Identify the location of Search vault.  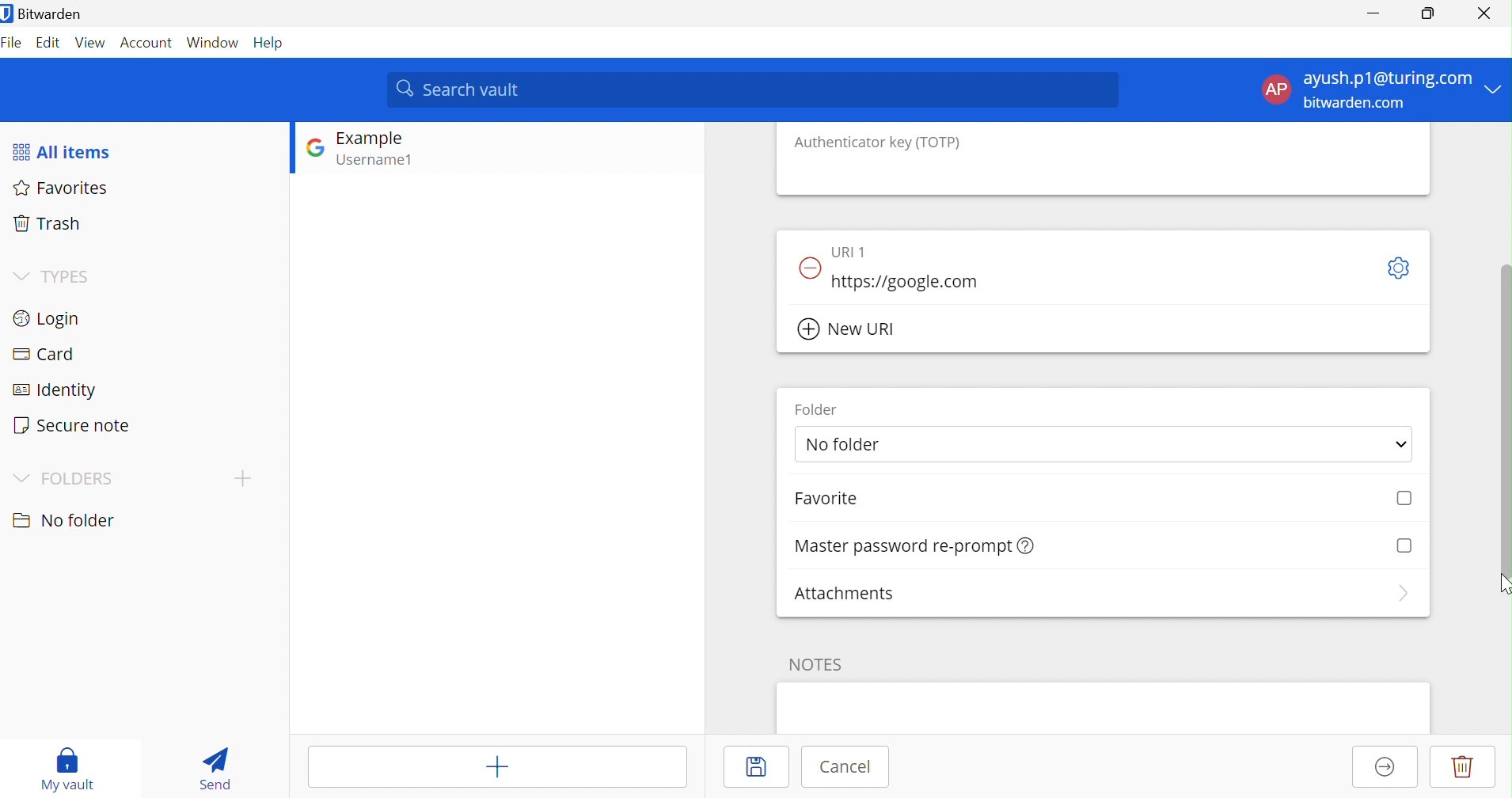
(754, 89).